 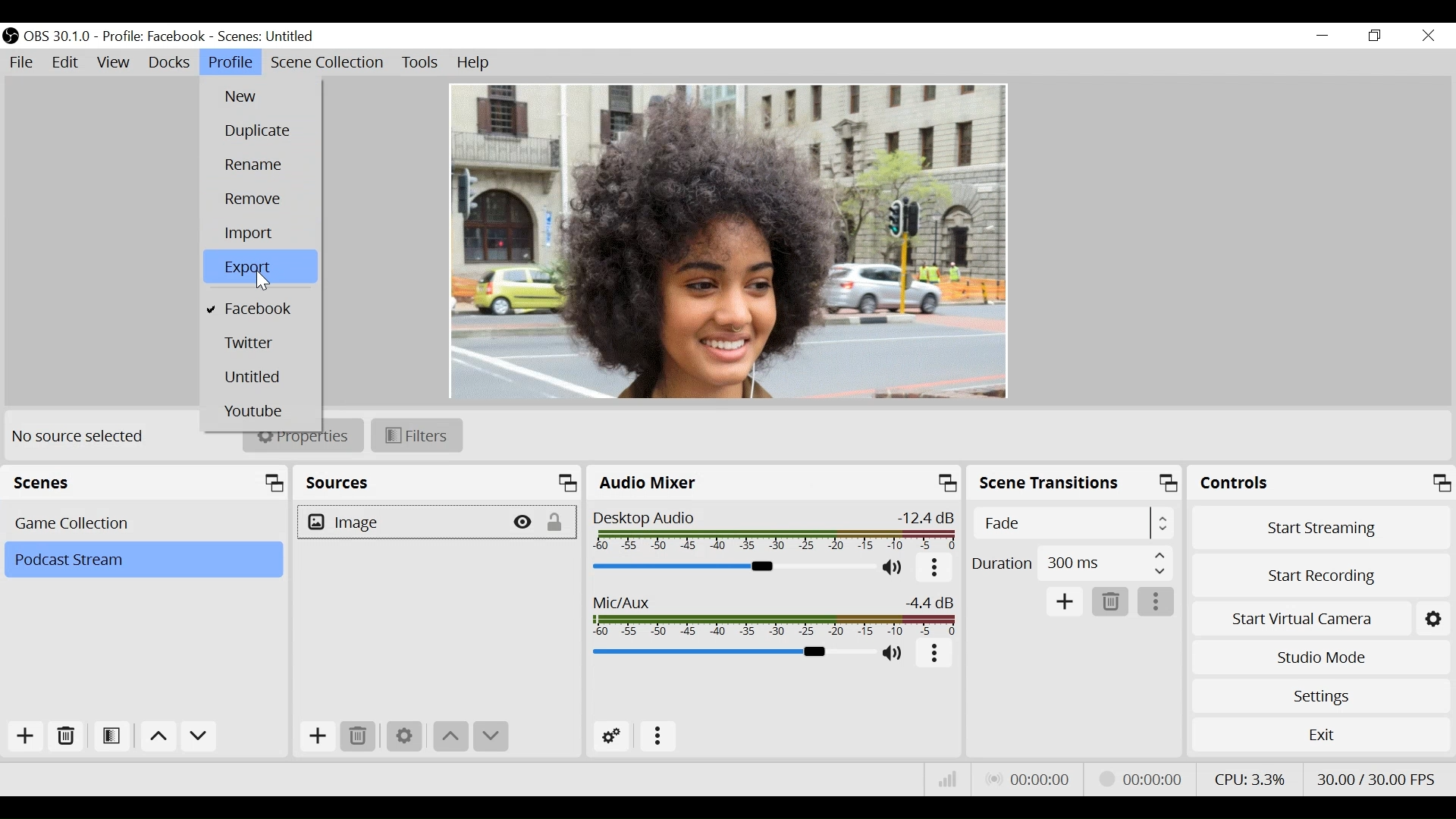 What do you see at coordinates (158, 736) in the screenshot?
I see `Move up` at bounding box center [158, 736].